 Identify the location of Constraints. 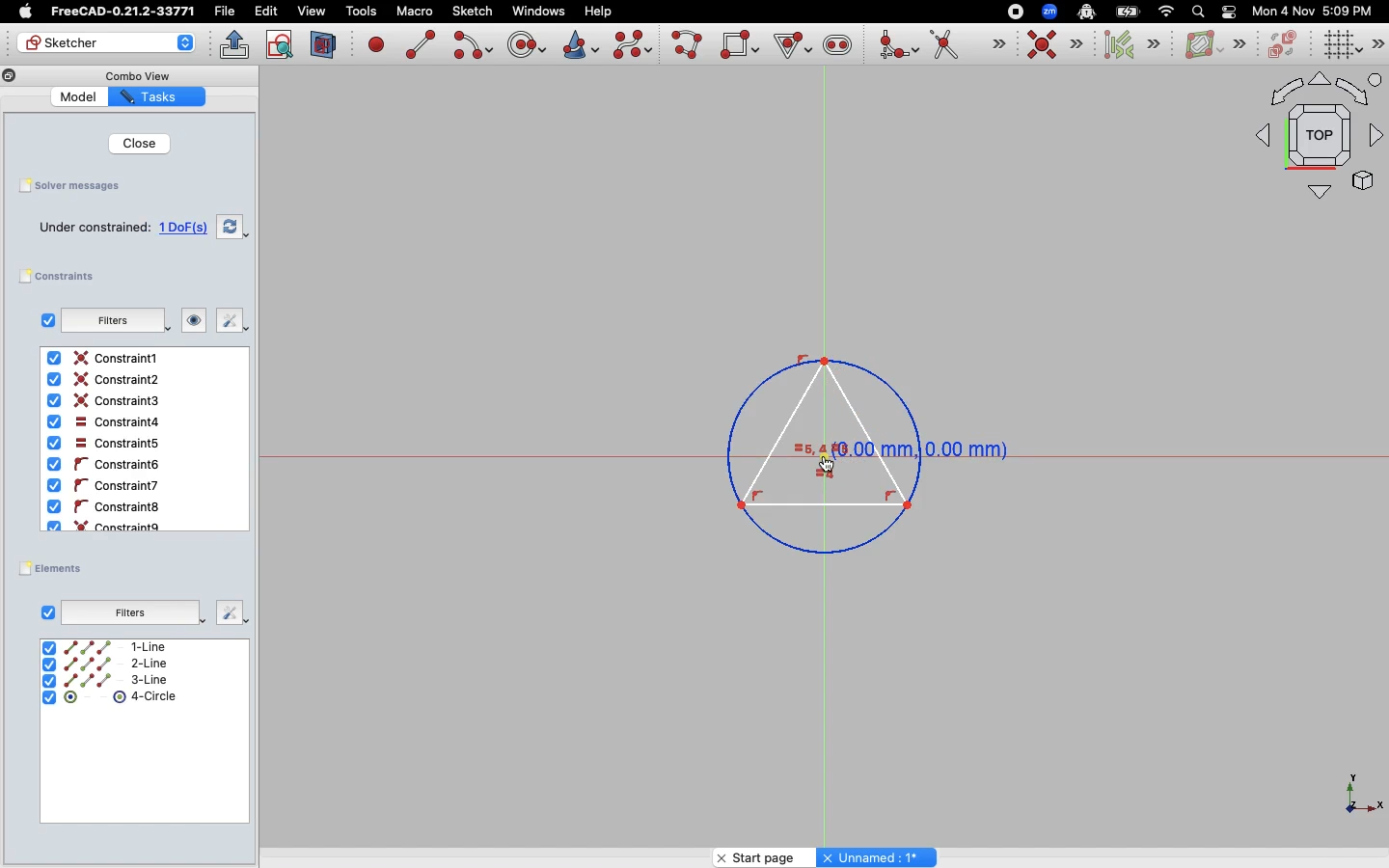
(65, 277).